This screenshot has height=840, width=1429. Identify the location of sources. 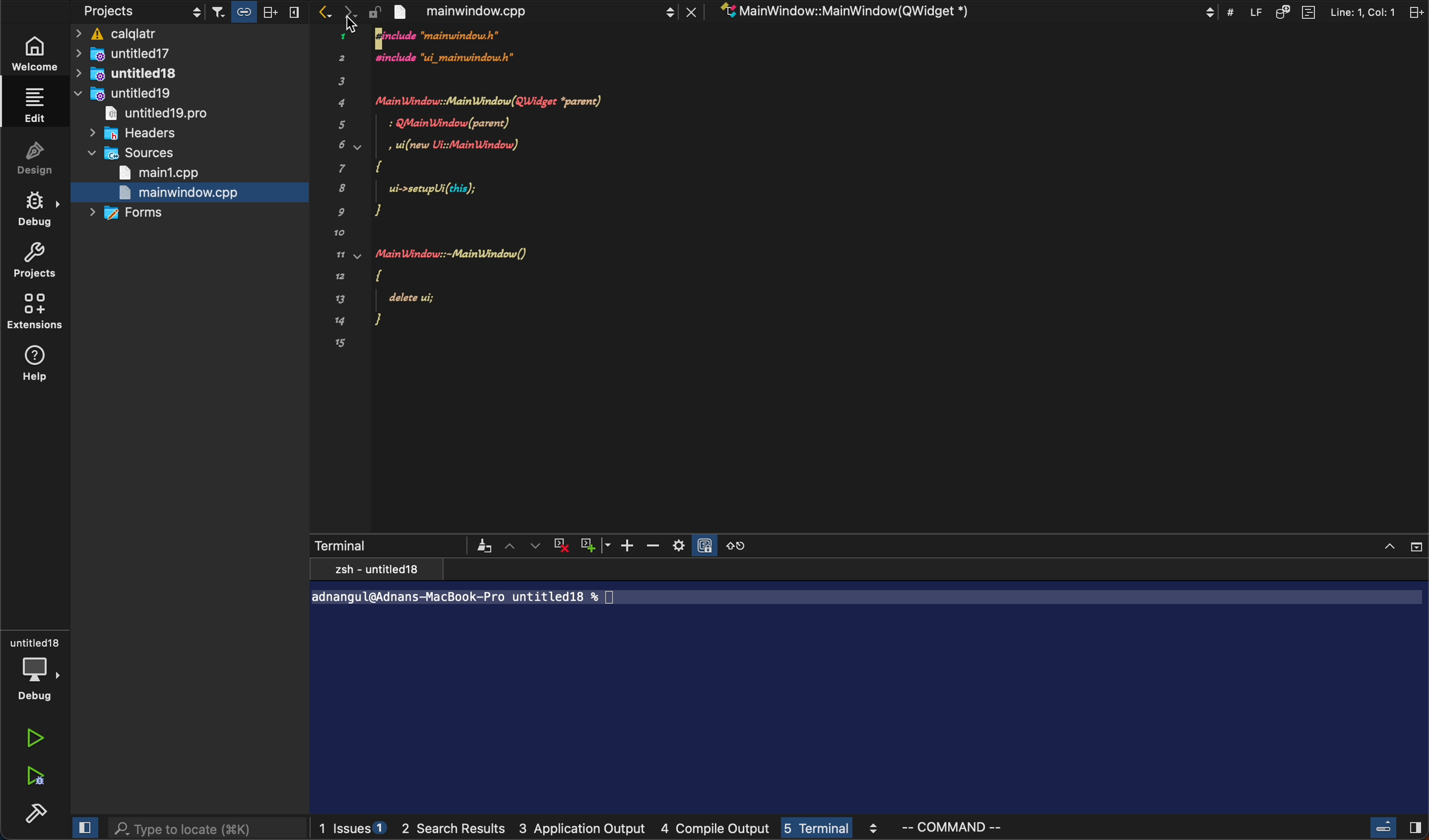
(133, 154).